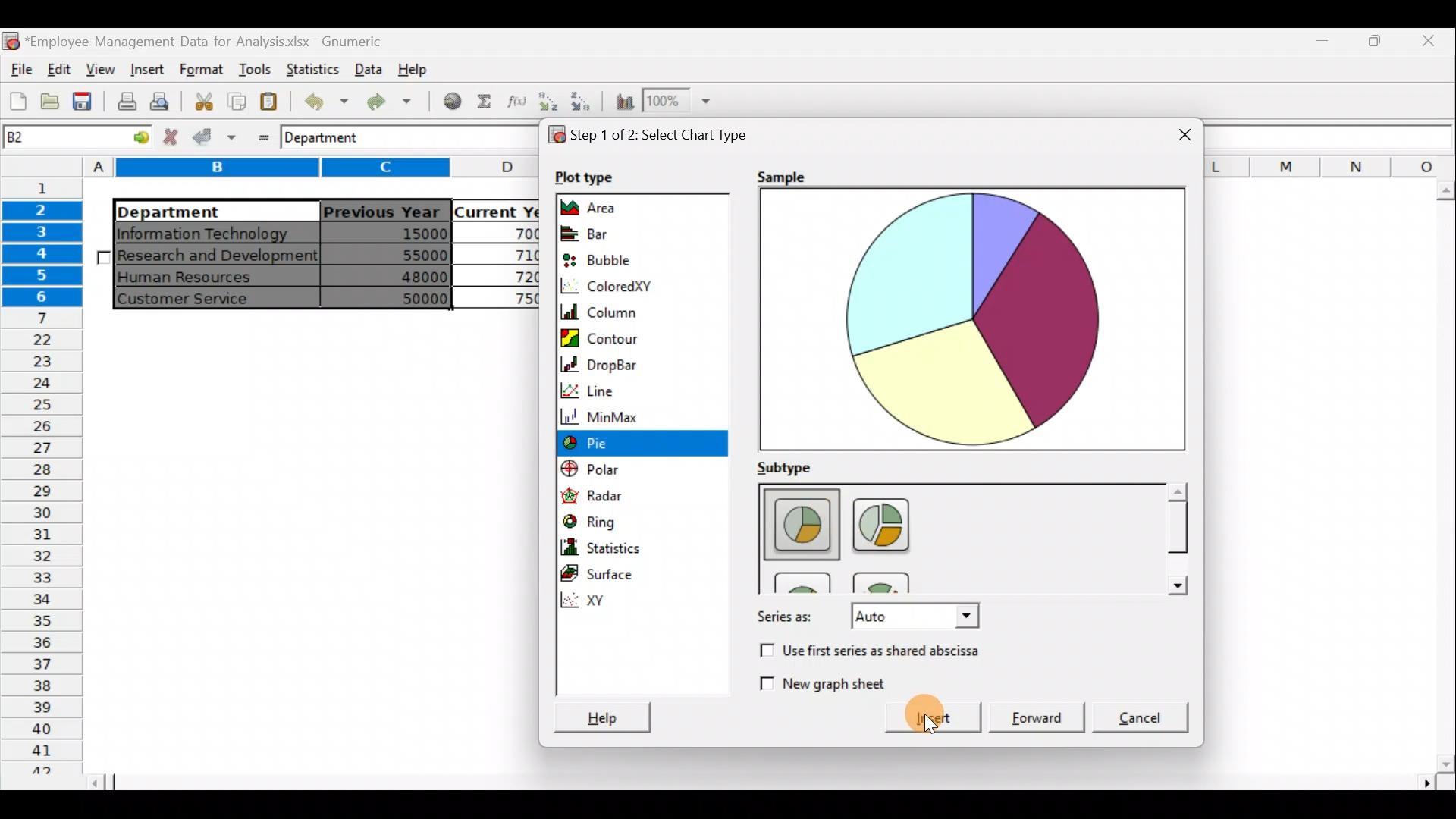 Image resolution: width=1456 pixels, height=819 pixels. I want to click on 55000, so click(416, 255).